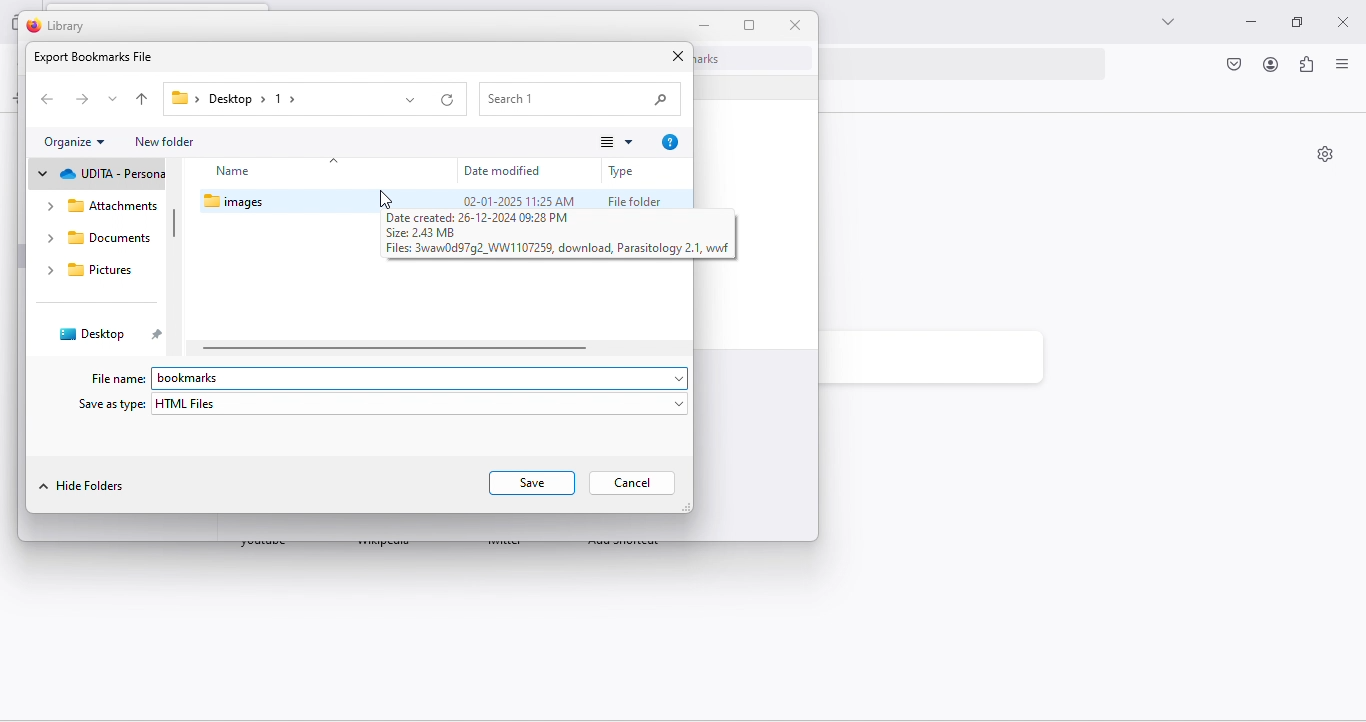  I want to click on close, so click(1345, 18).